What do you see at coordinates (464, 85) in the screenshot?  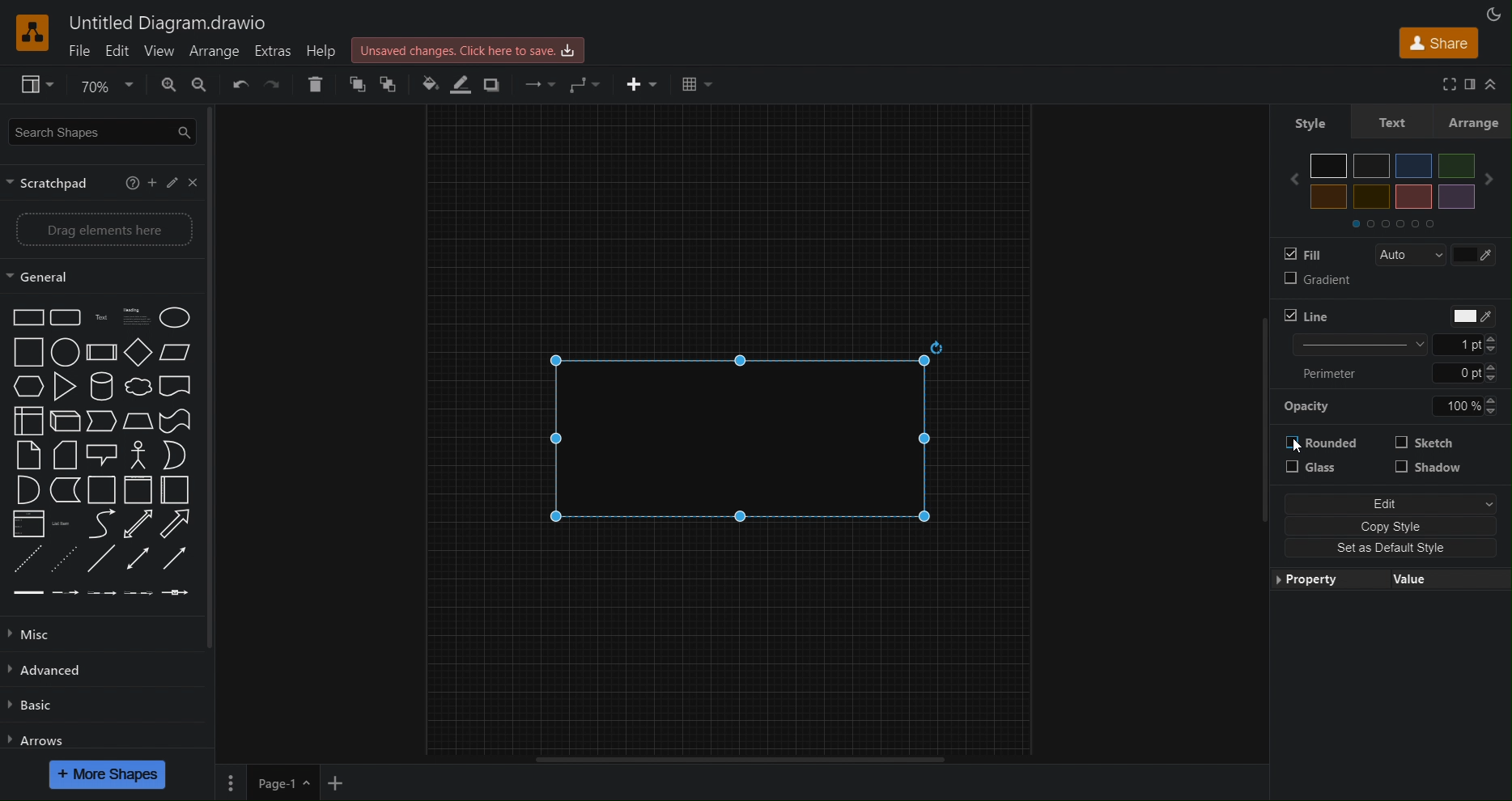 I see `Line Color` at bounding box center [464, 85].